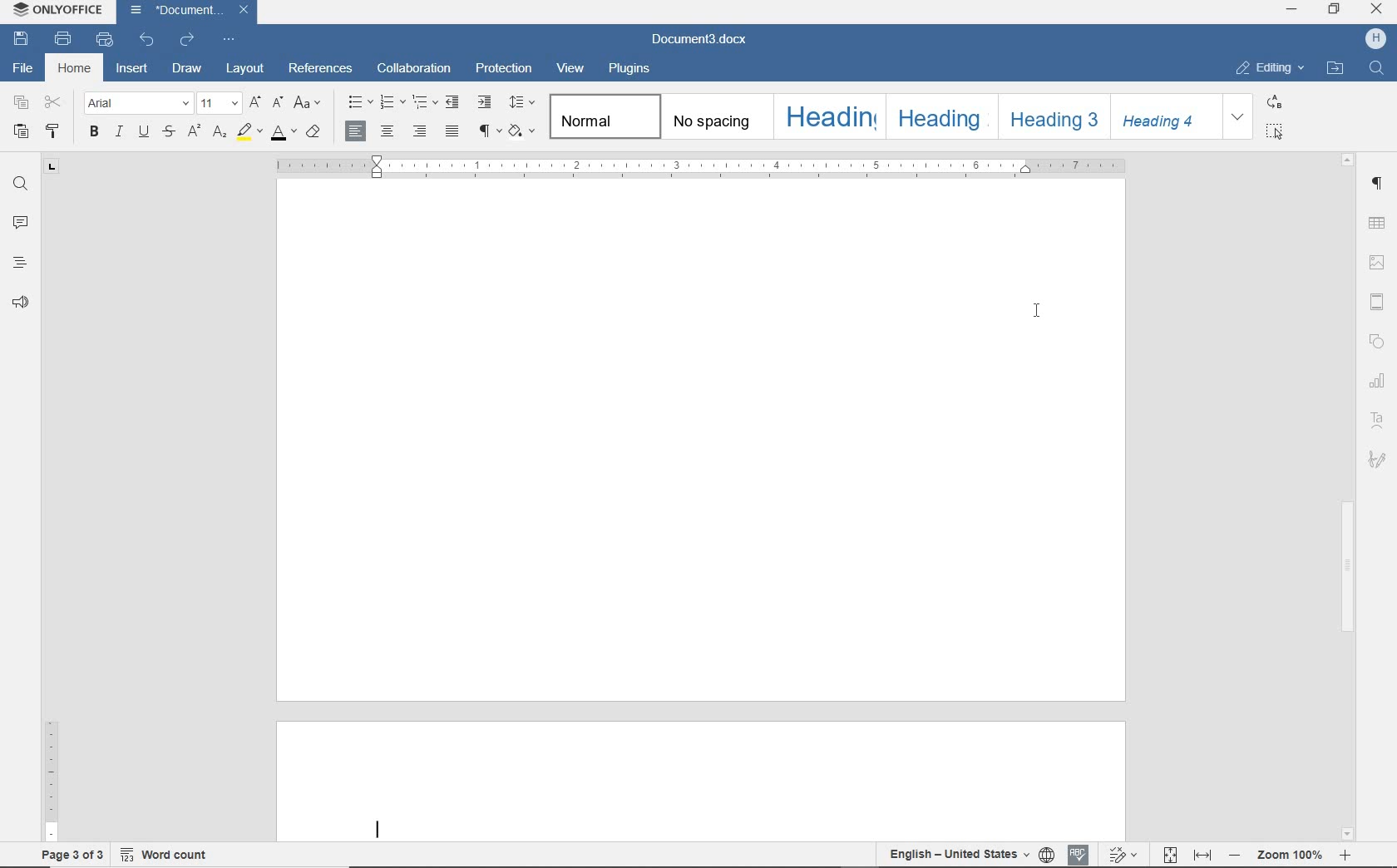 This screenshot has width=1397, height=868. What do you see at coordinates (958, 855) in the screenshot?
I see `TEXT LANGUAGE` at bounding box center [958, 855].